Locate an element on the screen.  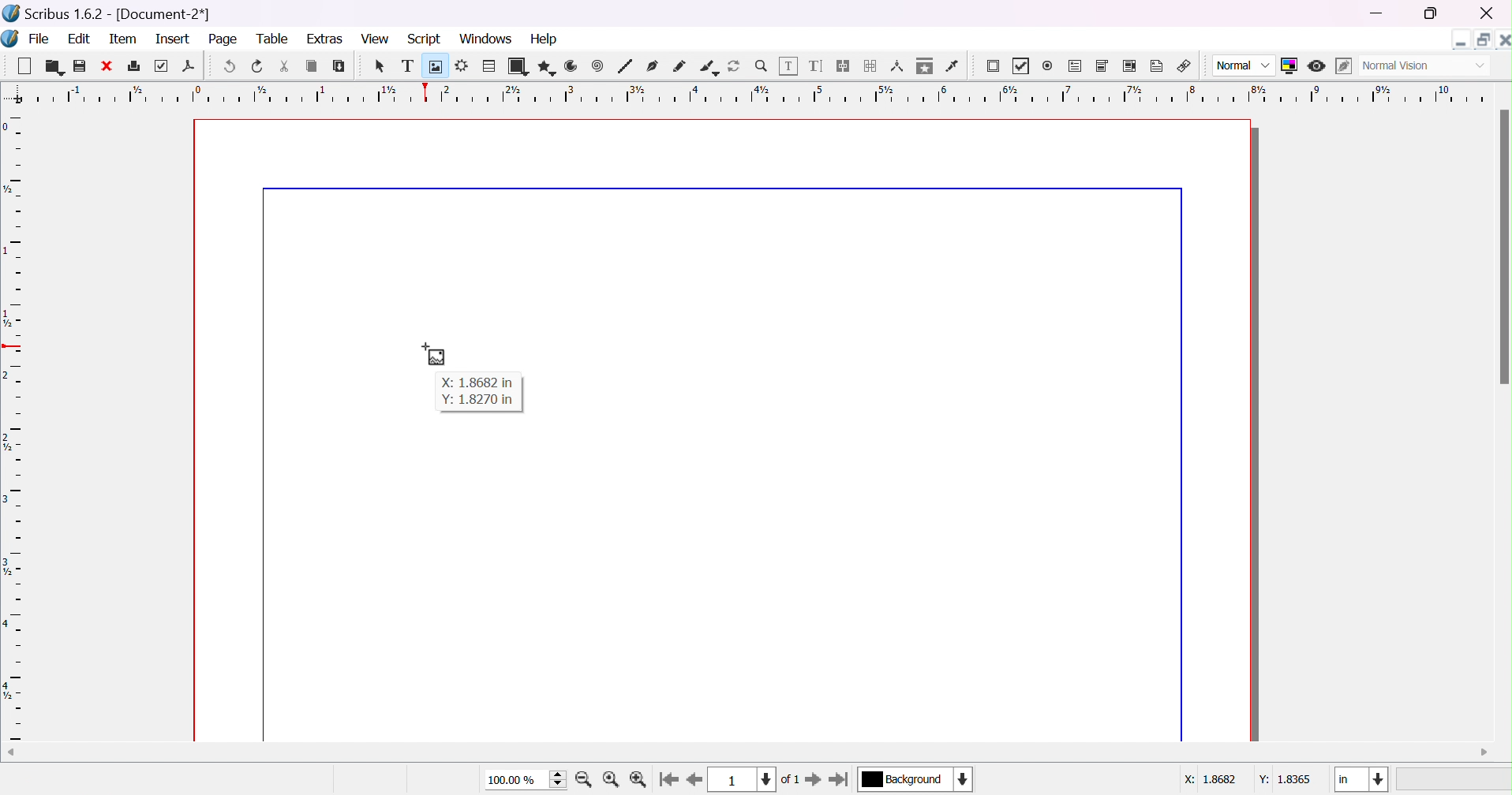
link text frames is located at coordinates (844, 66).